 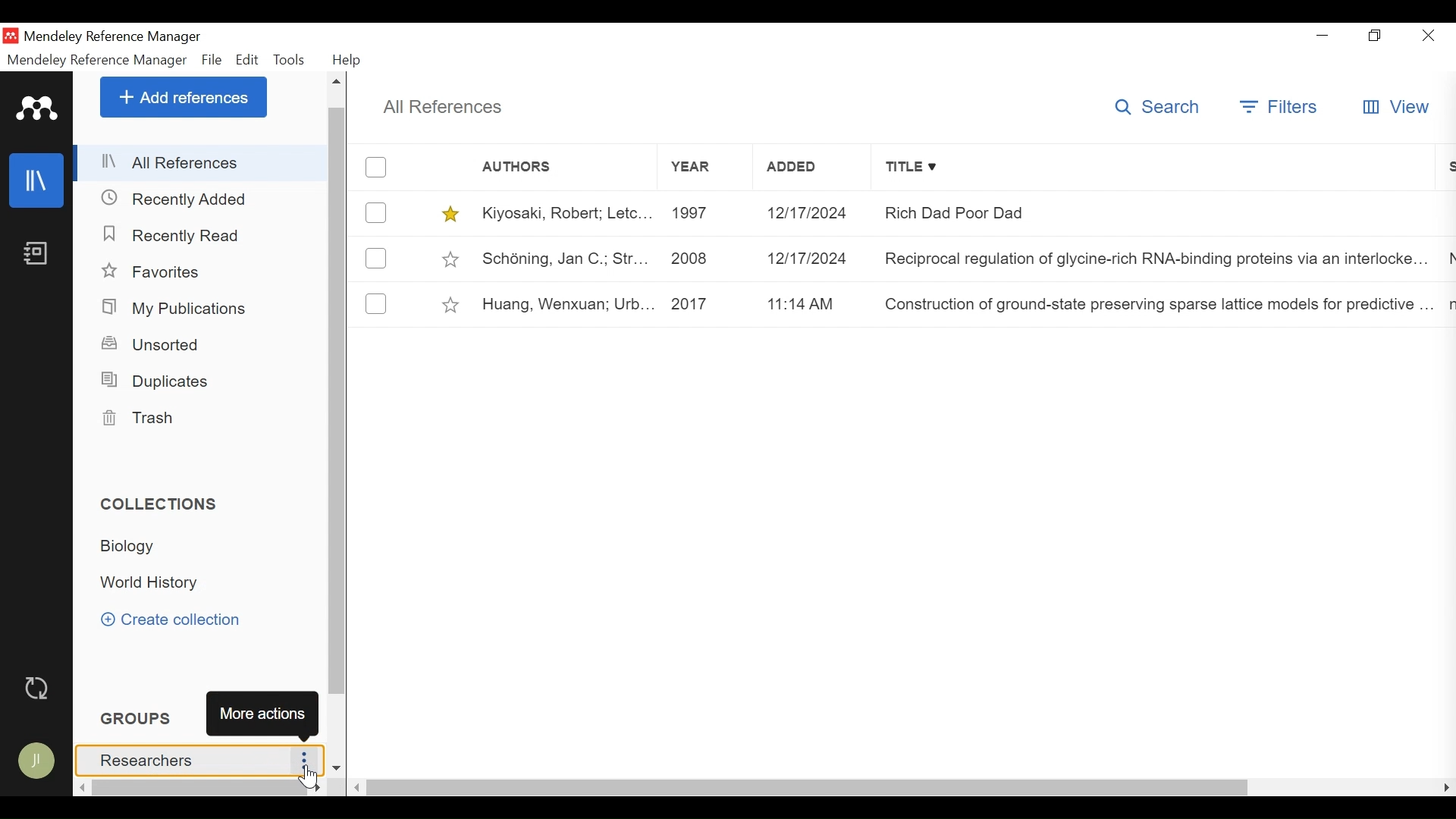 What do you see at coordinates (812, 169) in the screenshot?
I see `Added` at bounding box center [812, 169].